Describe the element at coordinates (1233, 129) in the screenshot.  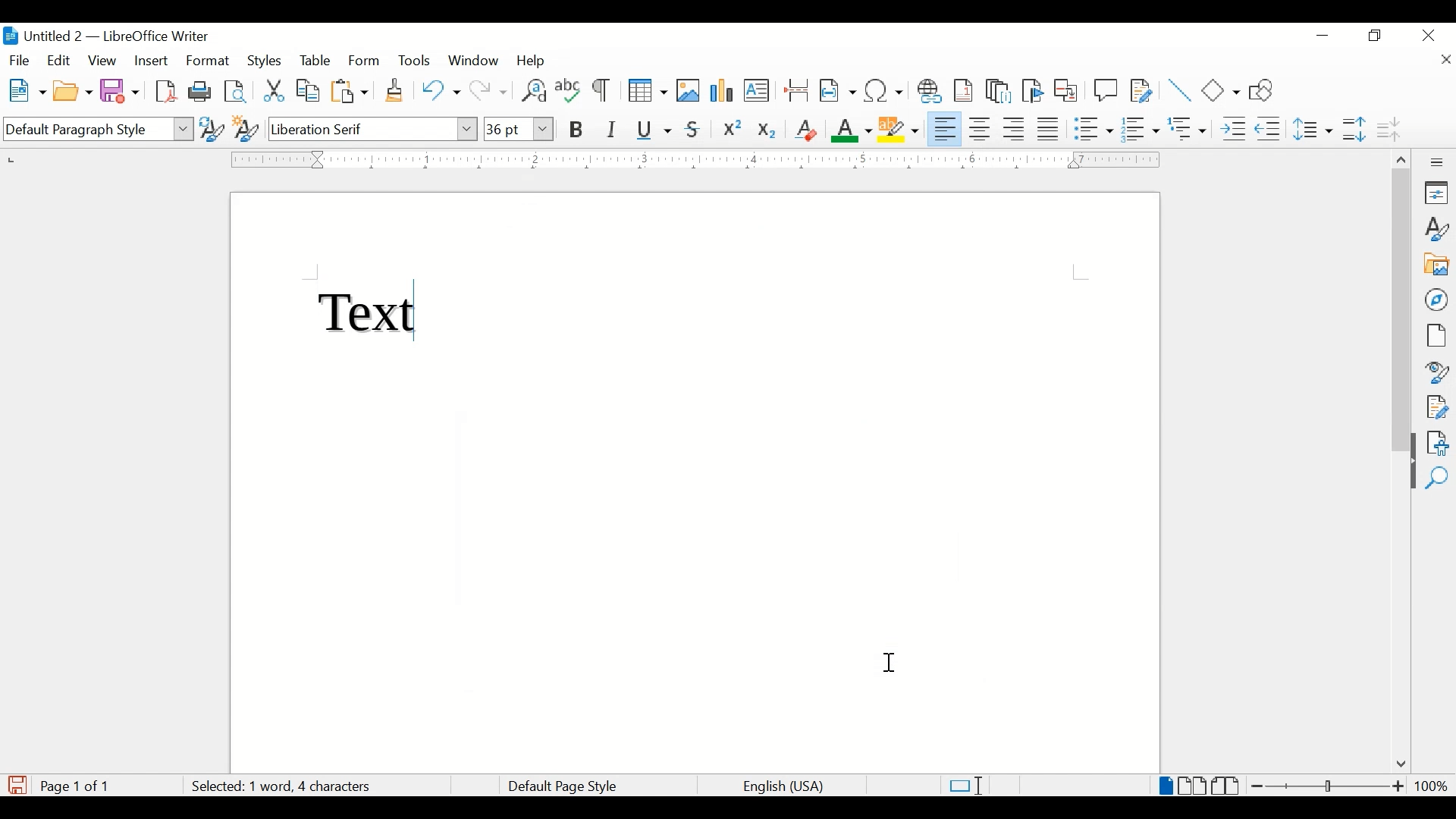
I see `increase indent` at that location.